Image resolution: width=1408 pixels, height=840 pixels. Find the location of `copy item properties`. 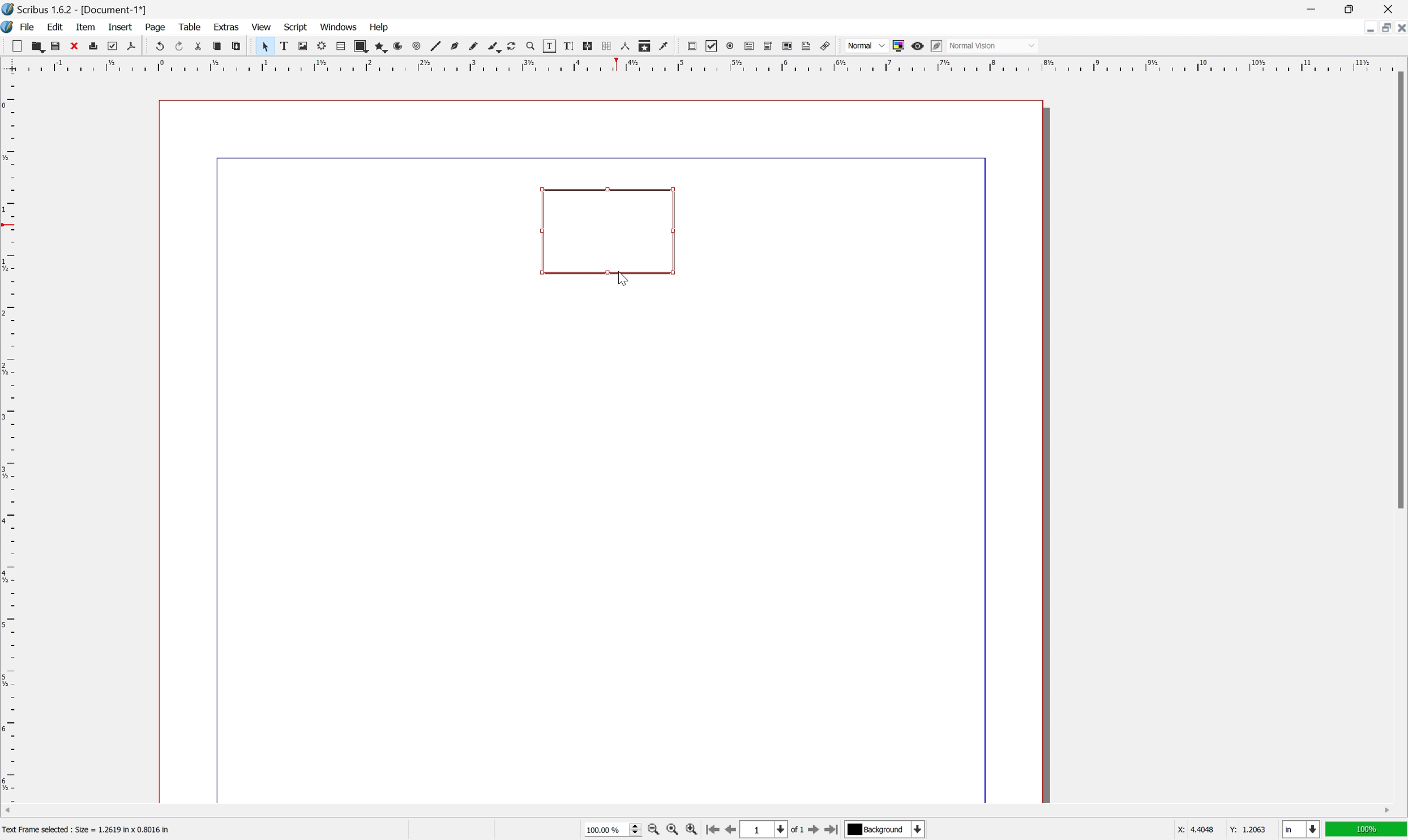

copy item properties is located at coordinates (645, 46).